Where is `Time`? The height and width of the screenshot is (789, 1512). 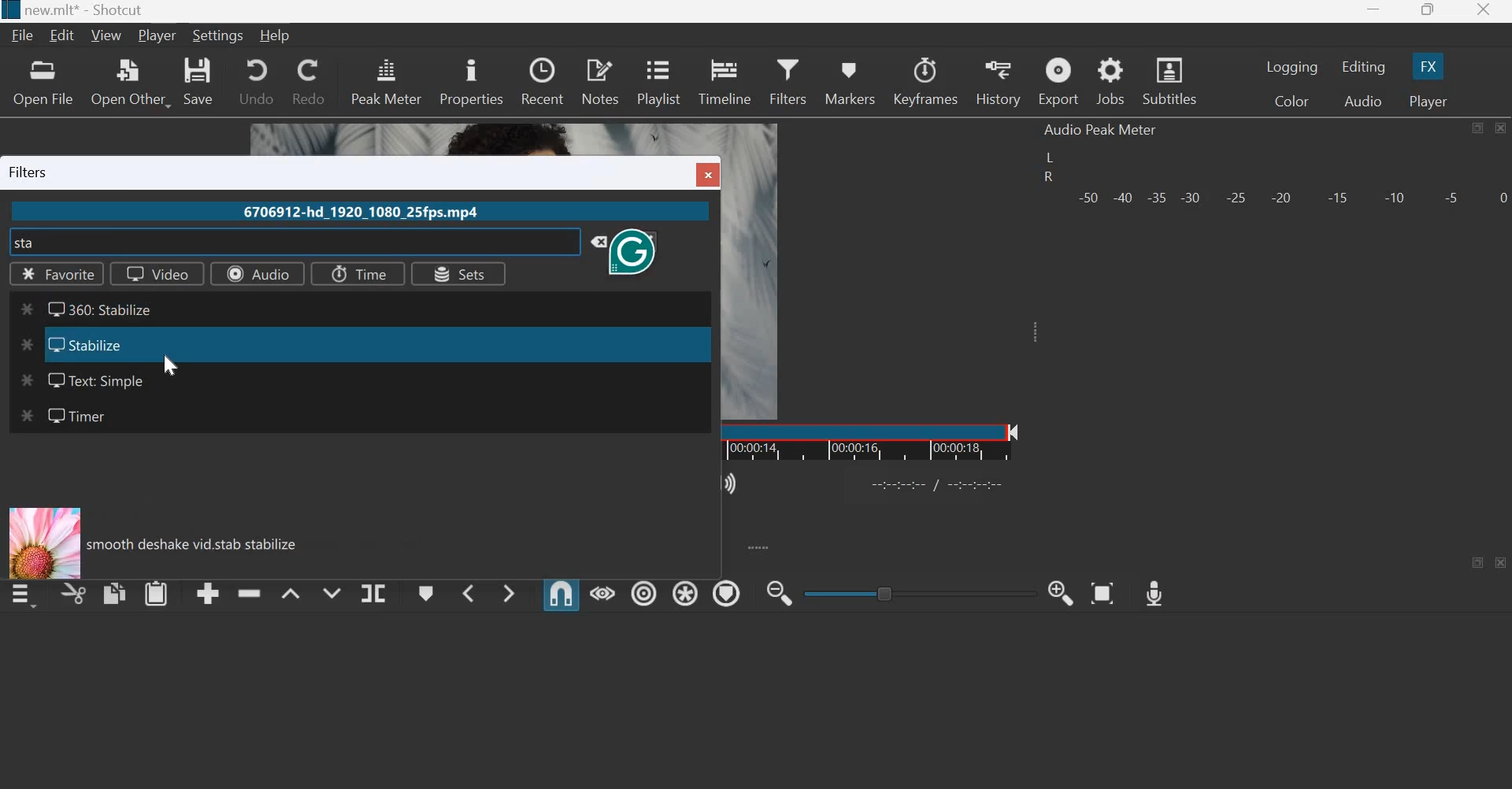
Time is located at coordinates (360, 275).